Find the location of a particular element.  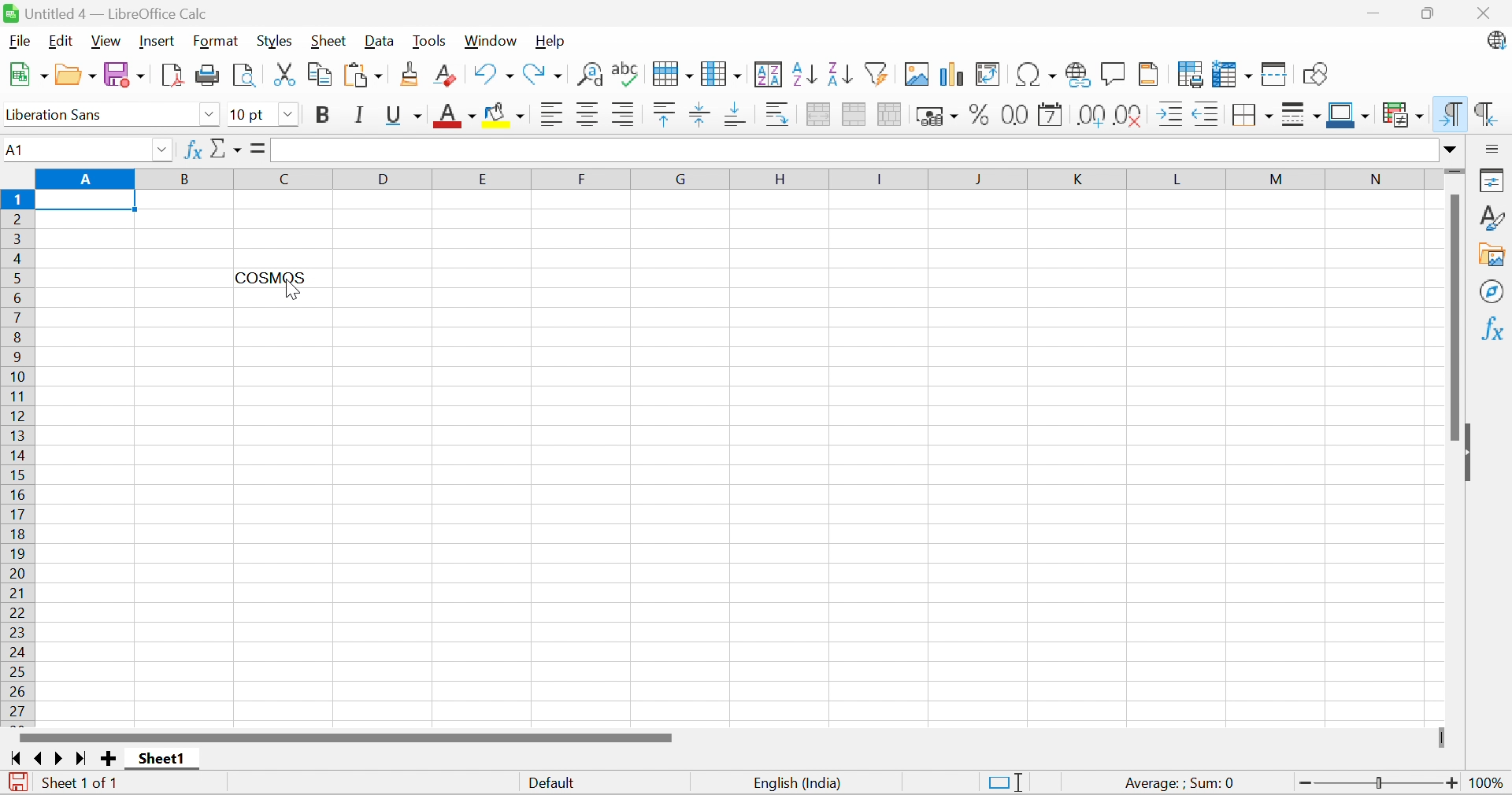

Scroll Bar is located at coordinates (343, 738).